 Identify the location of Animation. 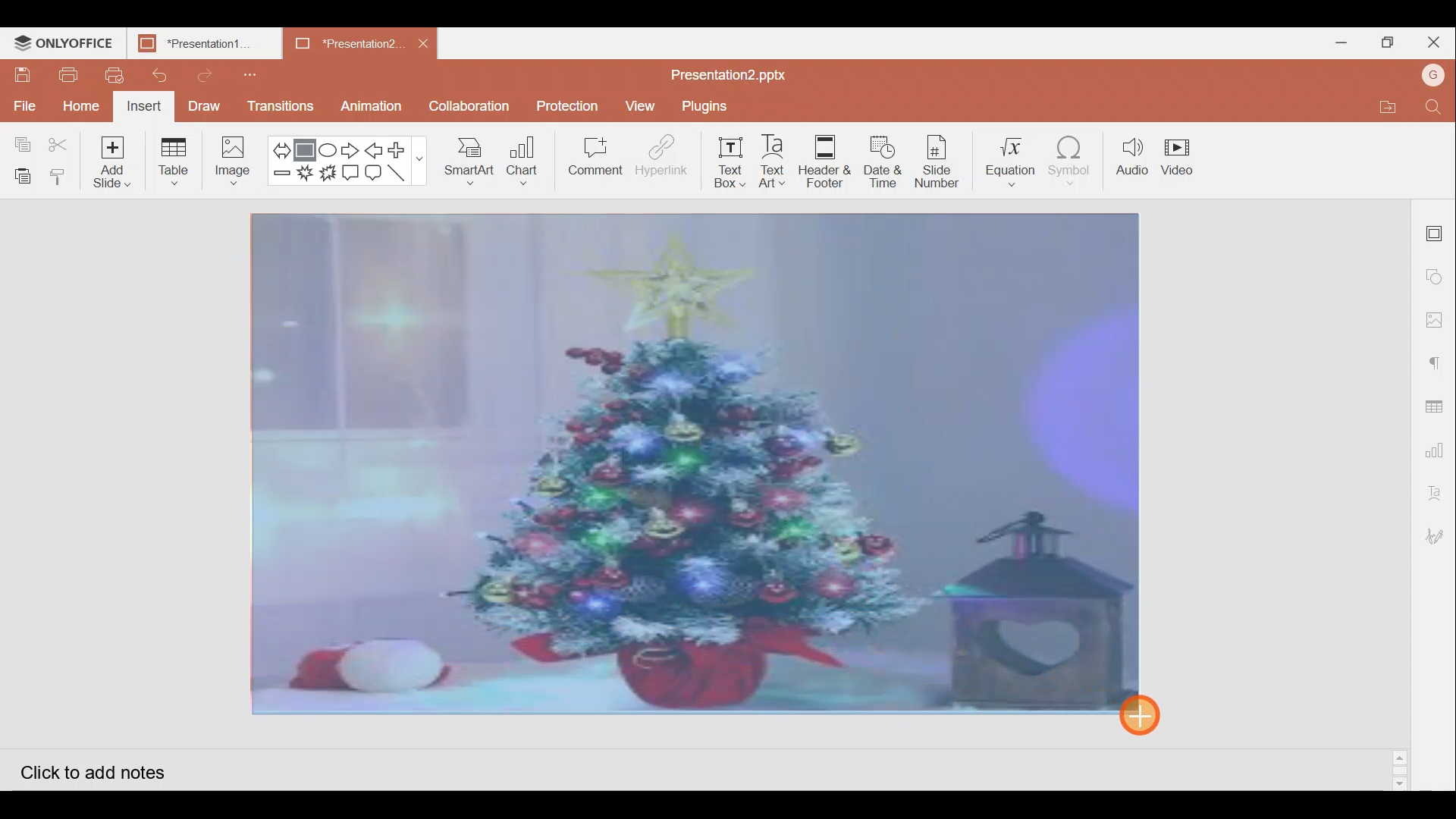
(377, 103).